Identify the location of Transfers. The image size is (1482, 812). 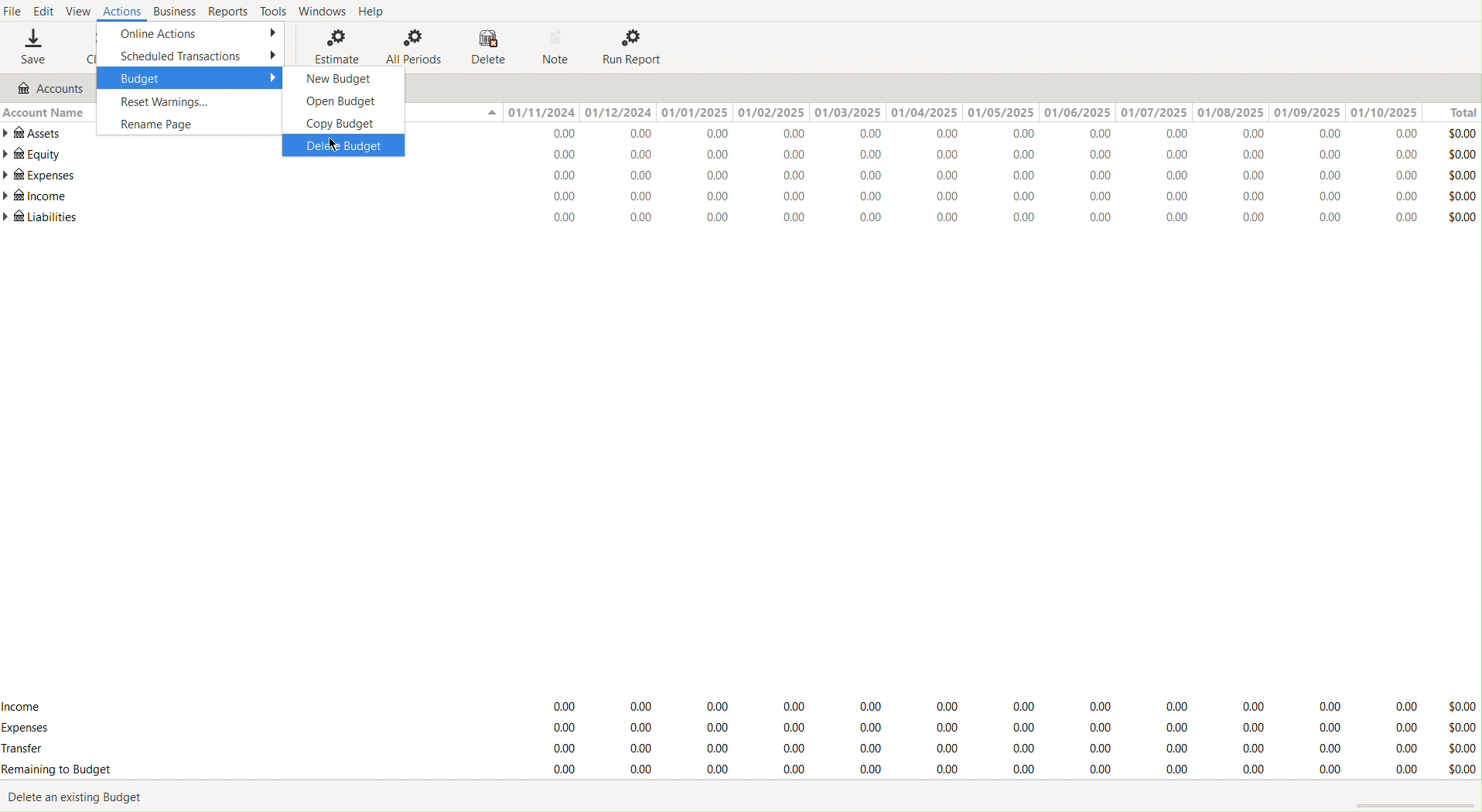
(986, 746).